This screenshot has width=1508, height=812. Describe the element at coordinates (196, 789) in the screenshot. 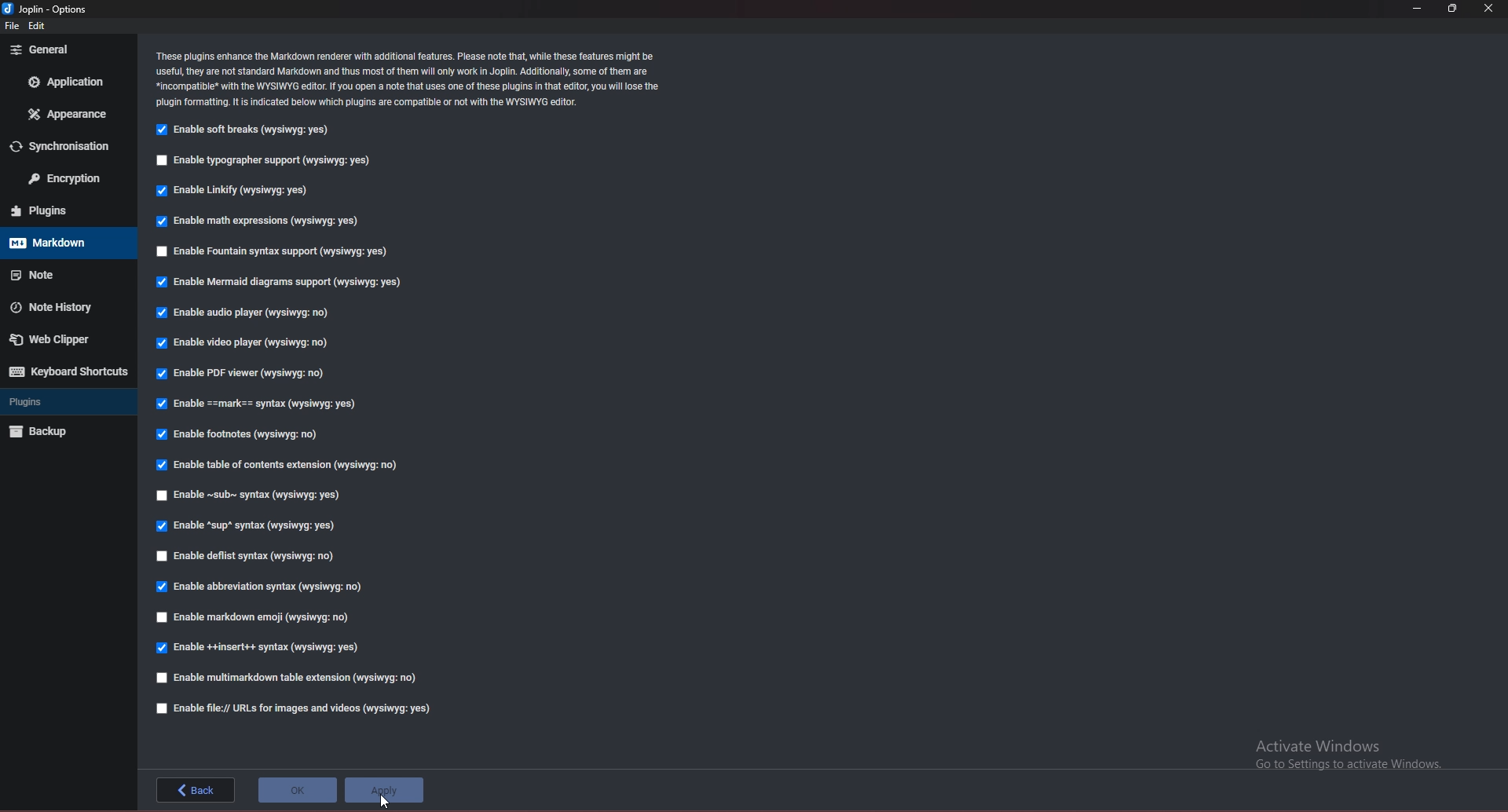

I see `back` at that location.